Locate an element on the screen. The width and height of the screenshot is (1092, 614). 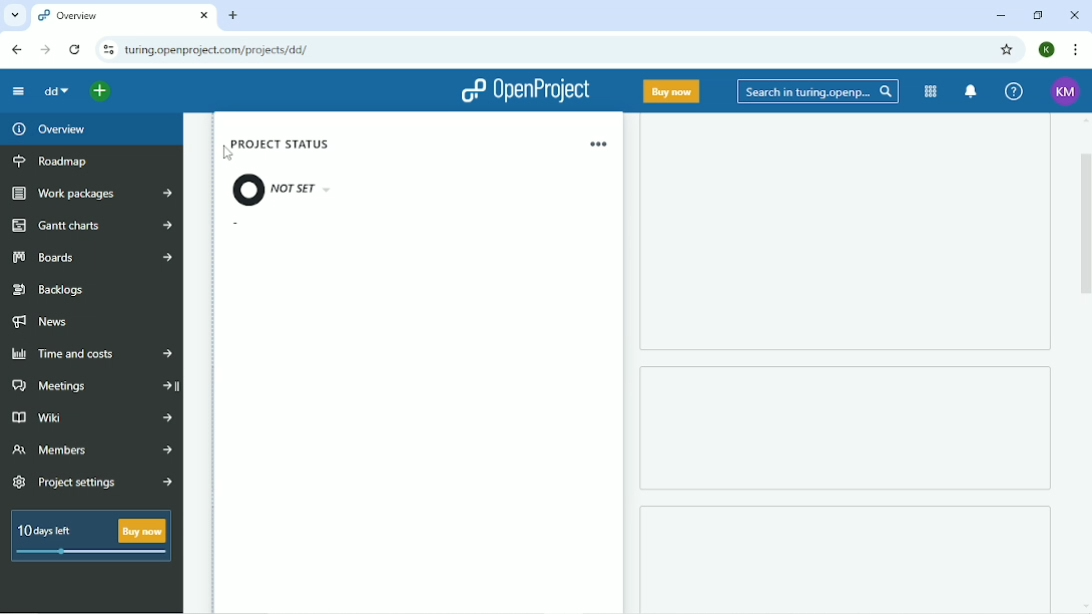
Restore down is located at coordinates (1037, 15).